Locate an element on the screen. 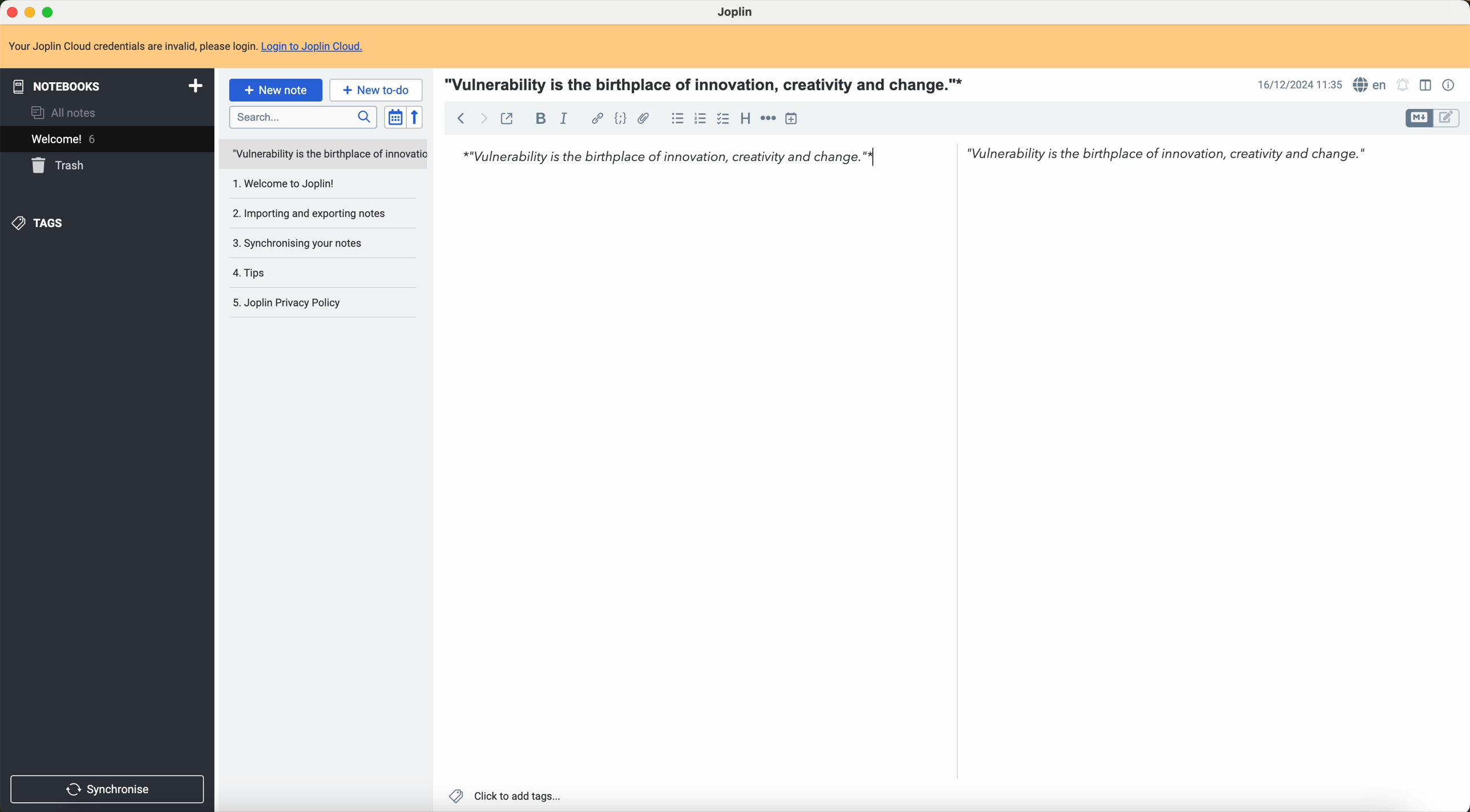 Image resolution: width=1470 pixels, height=812 pixels. toggle editor layout is located at coordinates (1425, 87).